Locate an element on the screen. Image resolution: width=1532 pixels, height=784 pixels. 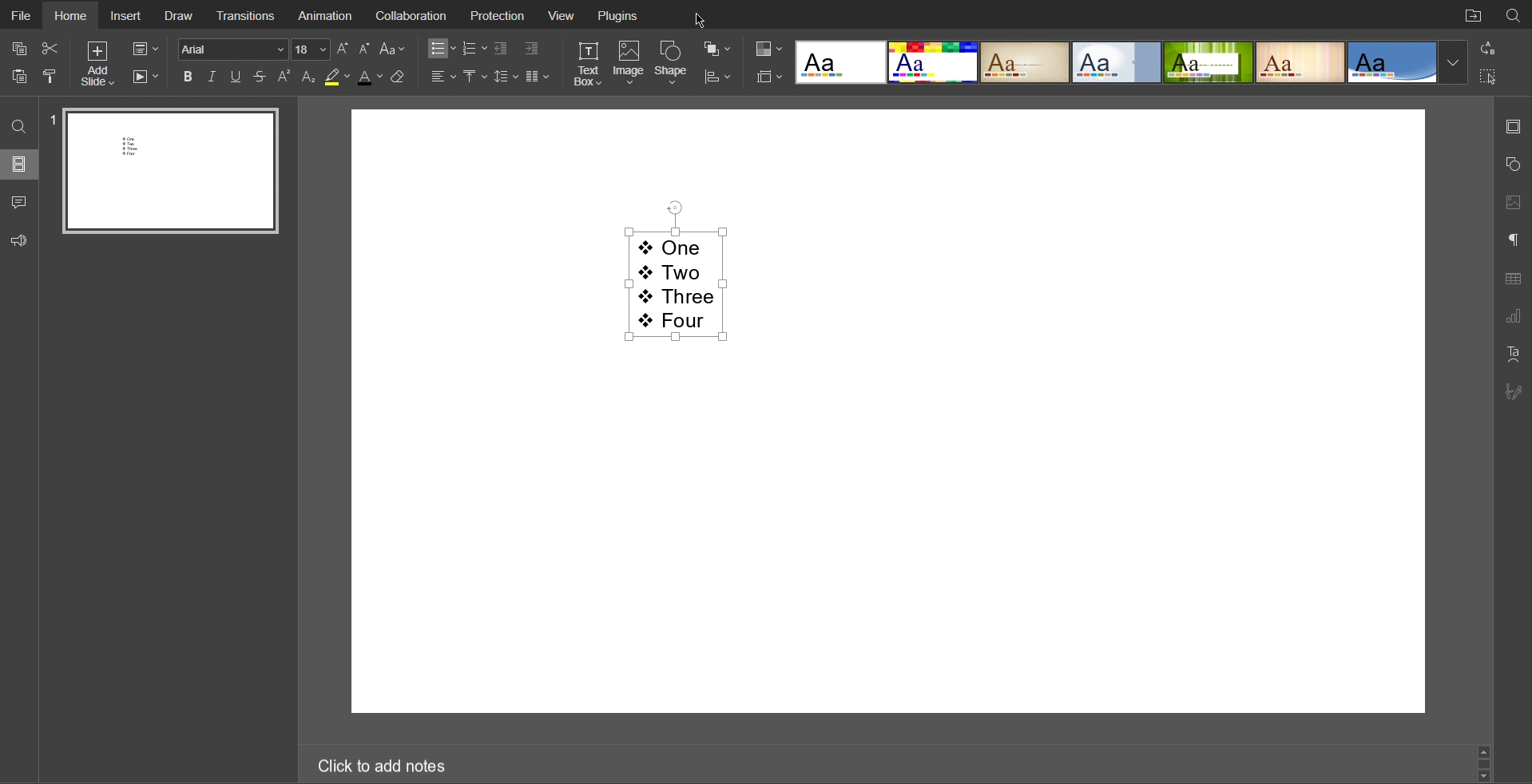
Text Box is located at coordinates (587, 65).